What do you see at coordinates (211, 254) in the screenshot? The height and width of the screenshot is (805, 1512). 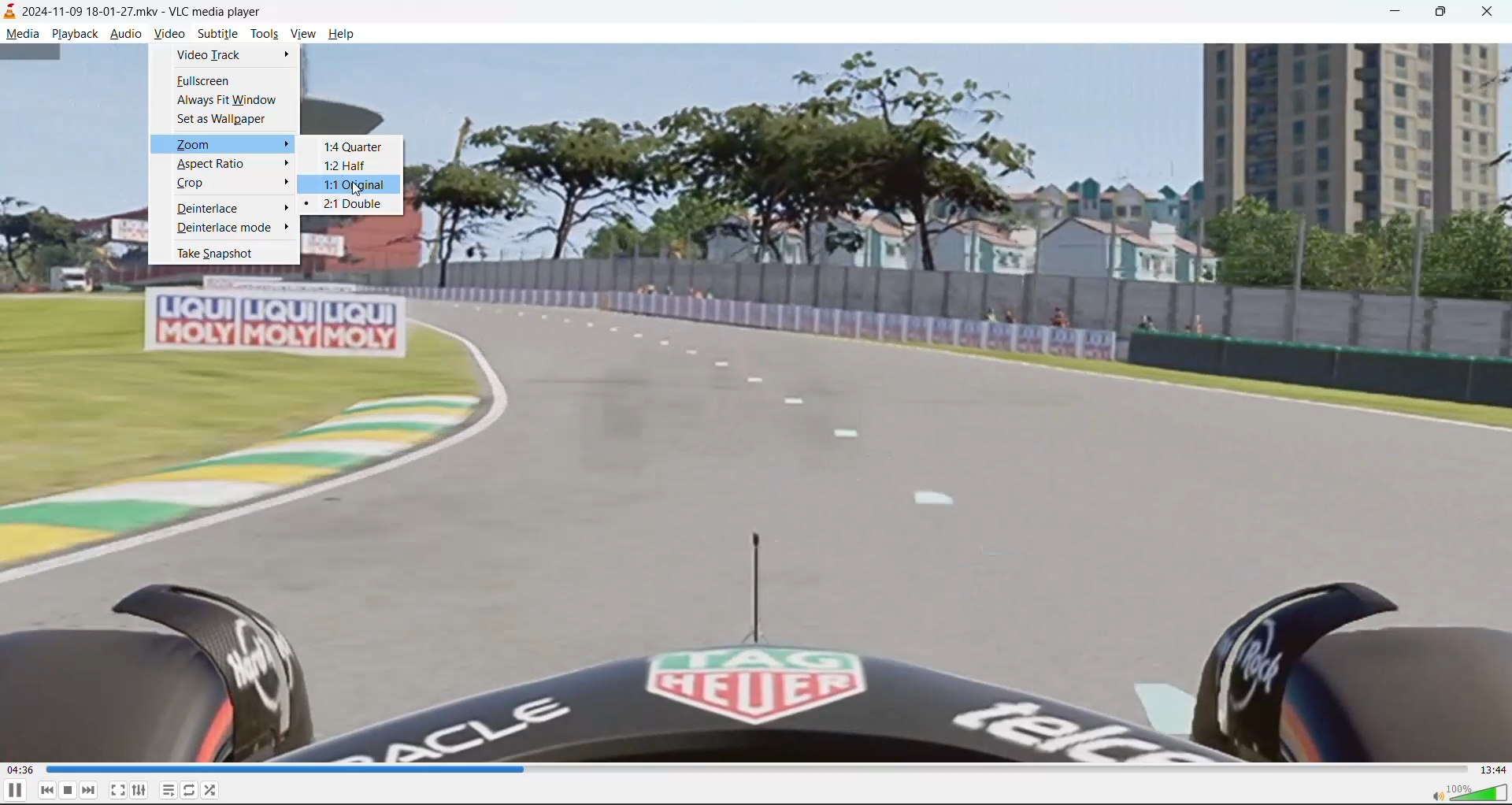 I see `take snapshot` at bounding box center [211, 254].